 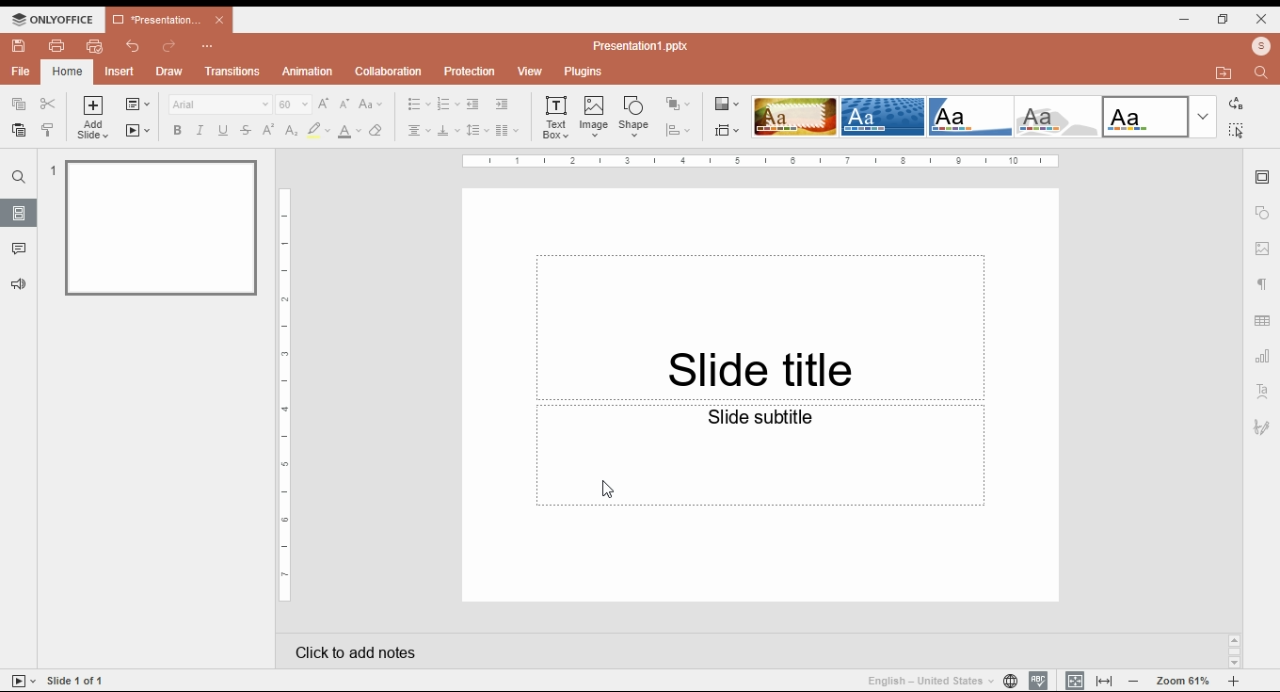 What do you see at coordinates (419, 104) in the screenshot?
I see `bullets` at bounding box center [419, 104].